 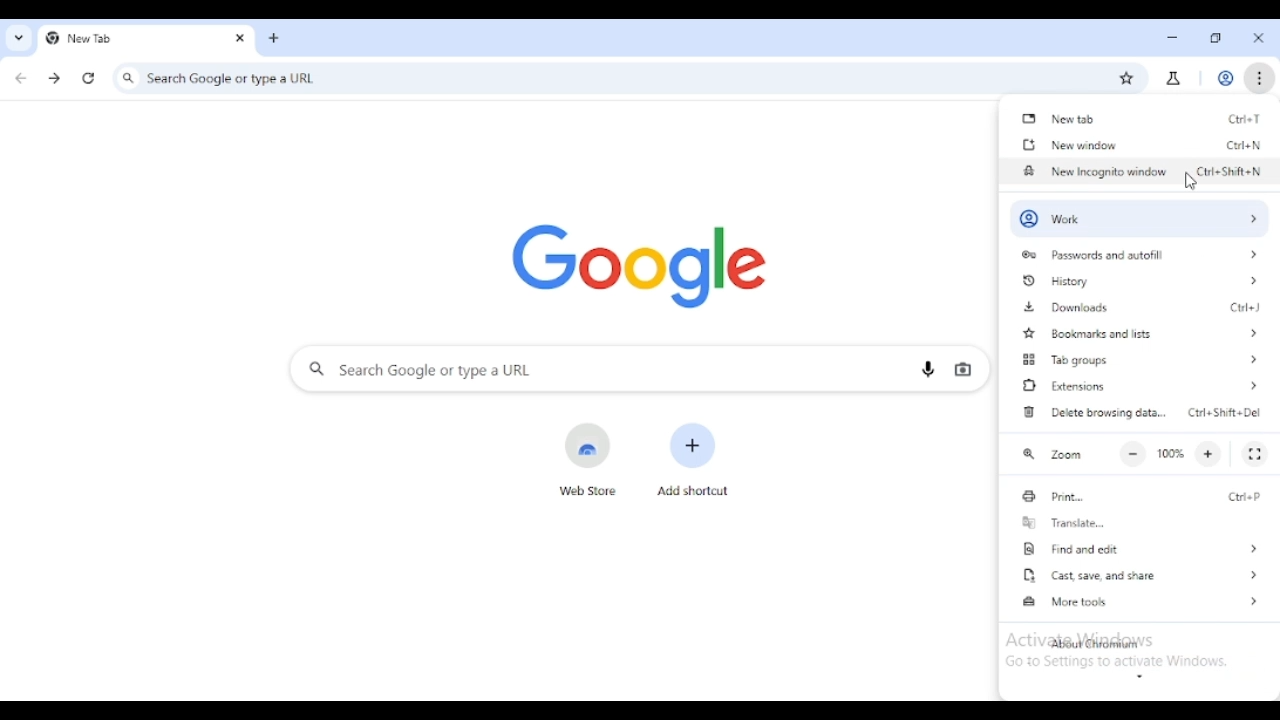 I want to click on full screen, so click(x=1254, y=455).